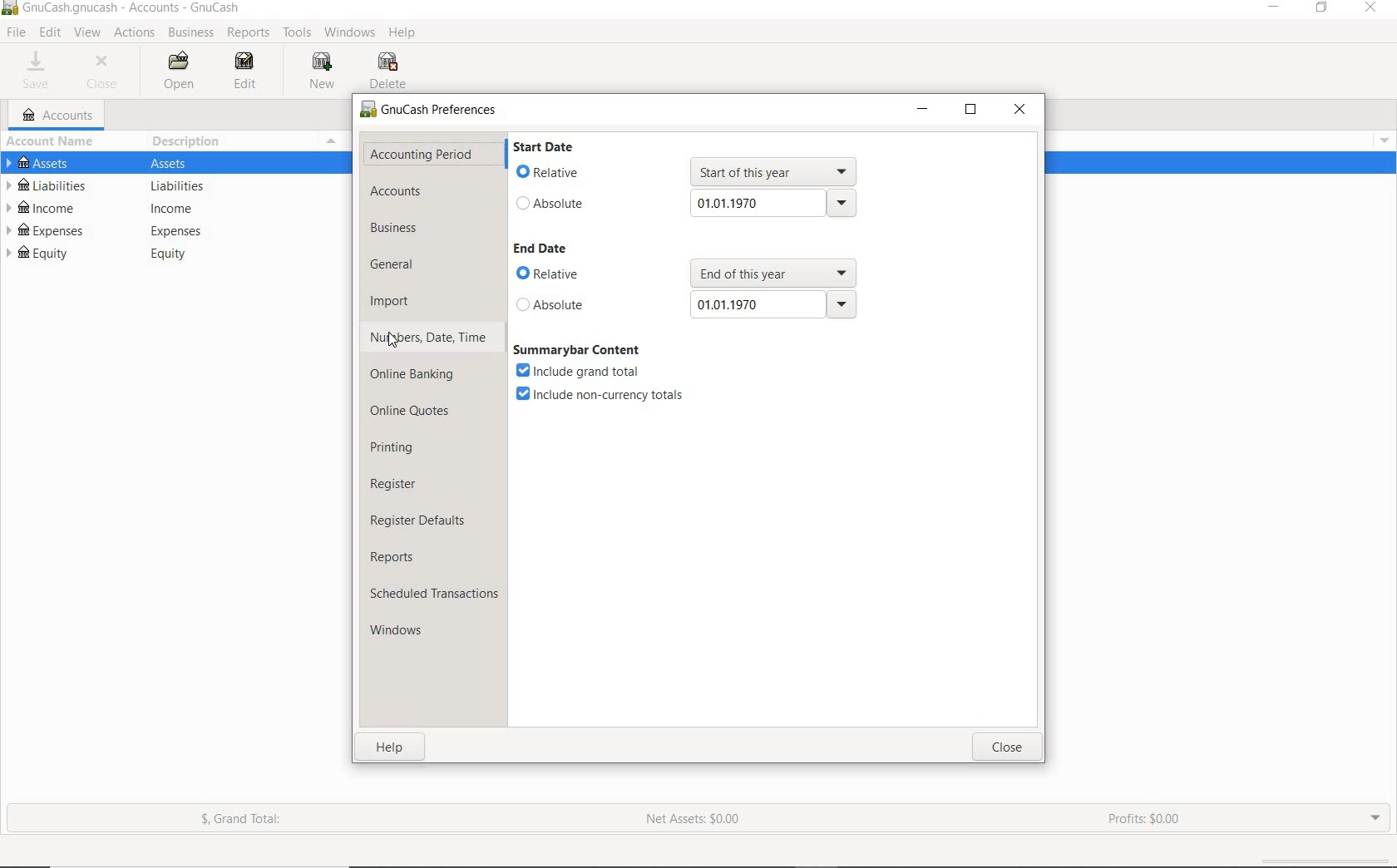  I want to click on accounts, so click(394, 191).